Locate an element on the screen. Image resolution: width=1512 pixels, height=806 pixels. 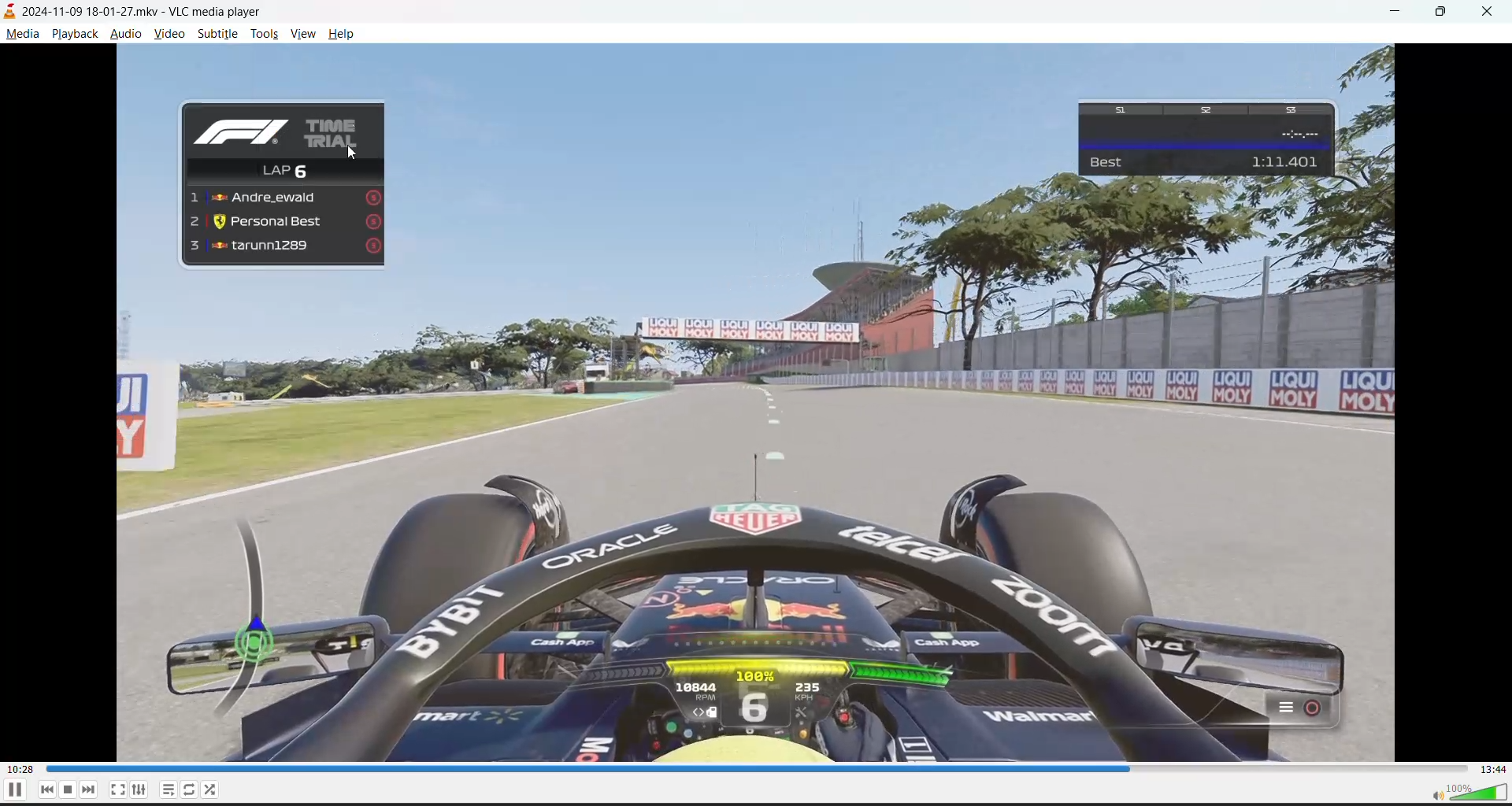
time trial is located at coordinates (283, 131).